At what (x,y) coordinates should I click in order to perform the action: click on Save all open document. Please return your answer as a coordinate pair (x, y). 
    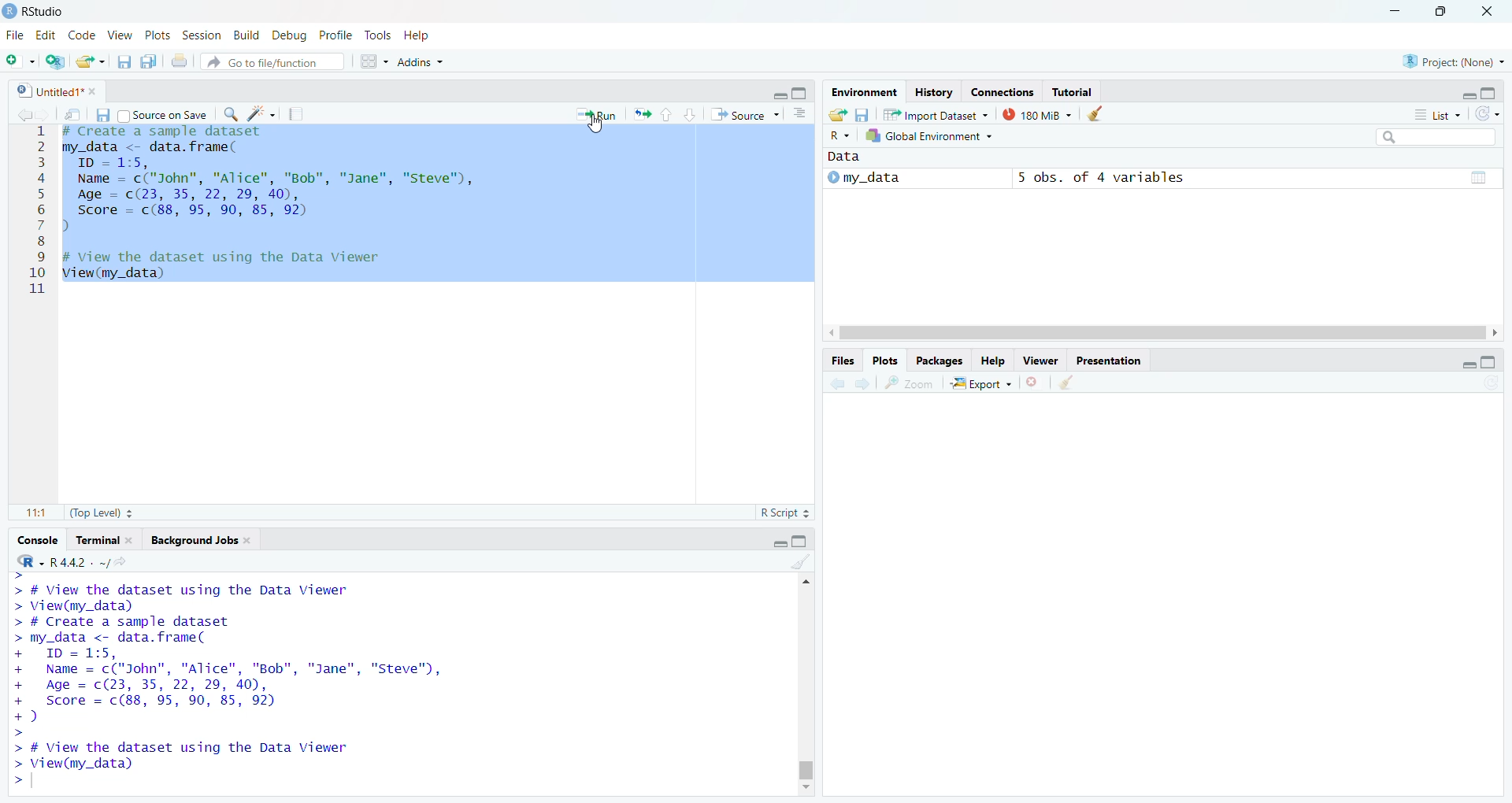
    Looking at the image, I should click on (151, 64).